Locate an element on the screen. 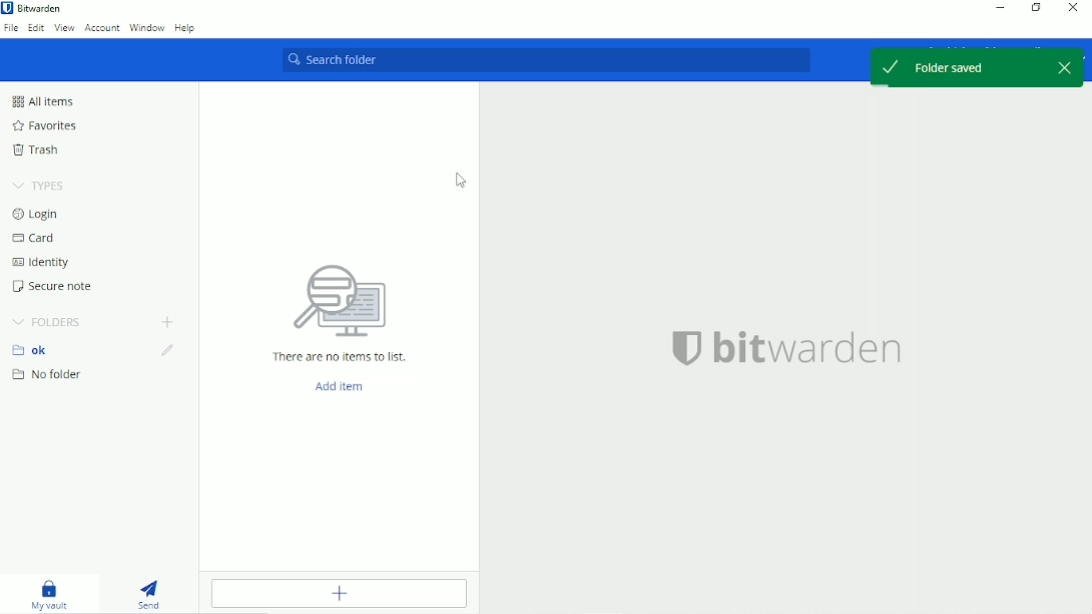  Window is located at coordinates (147, 28).